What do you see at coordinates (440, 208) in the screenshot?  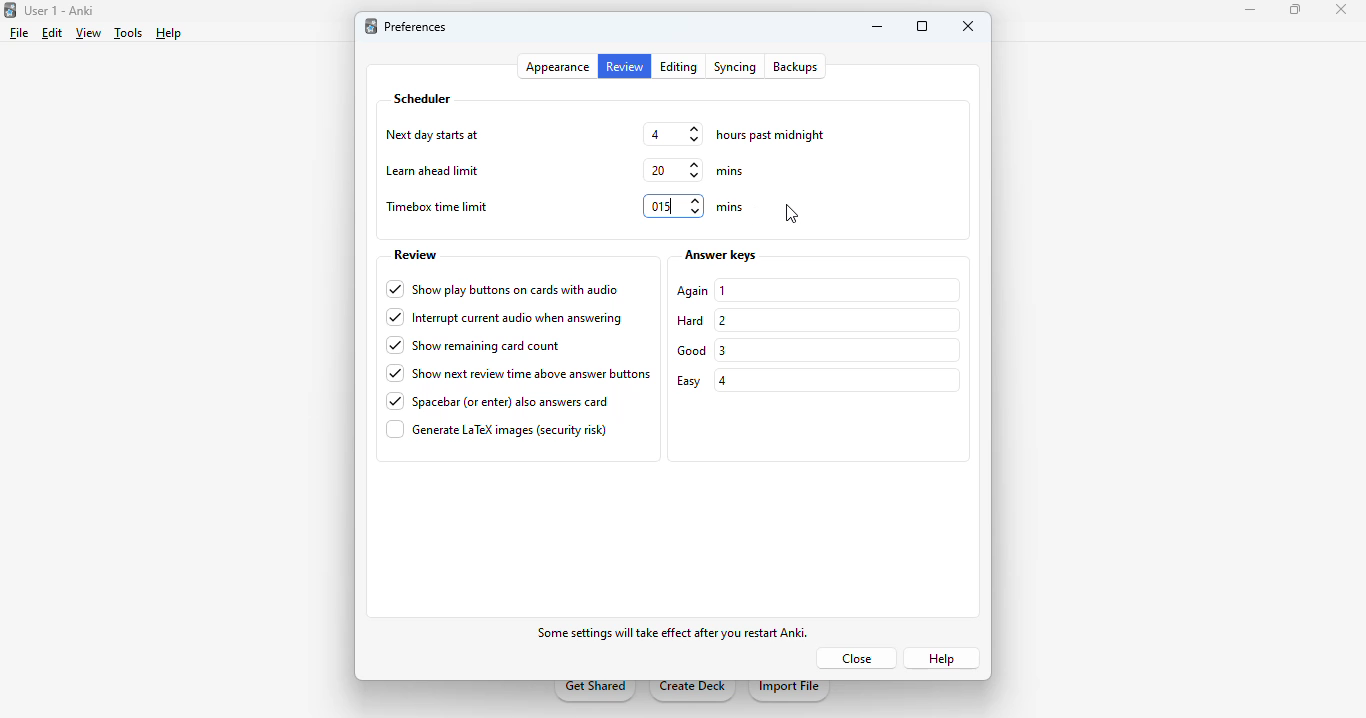 I see `timebox time limit` at bounding box center [440, 208].